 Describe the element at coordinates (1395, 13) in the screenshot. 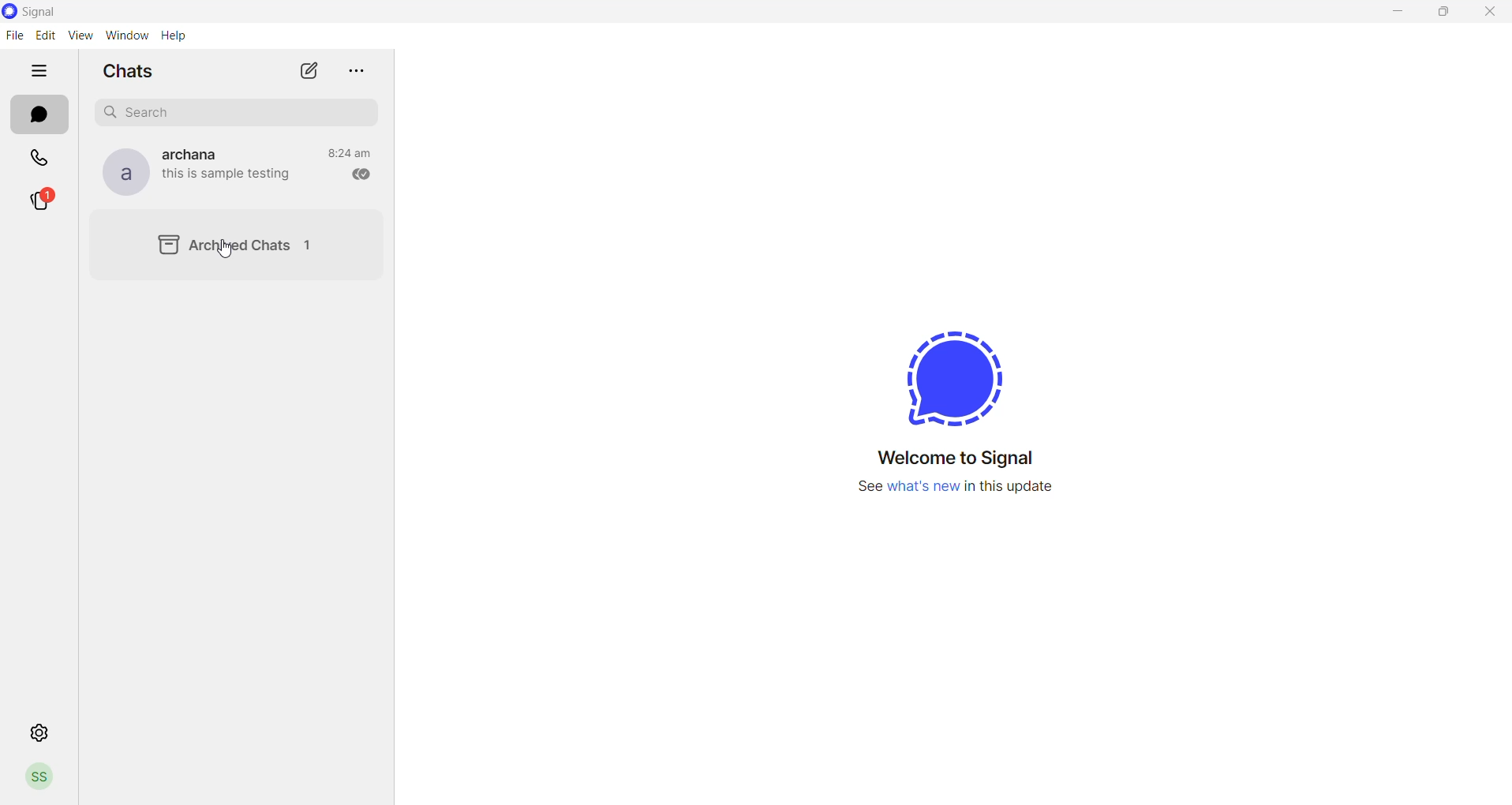

I see `minimize` at that location.